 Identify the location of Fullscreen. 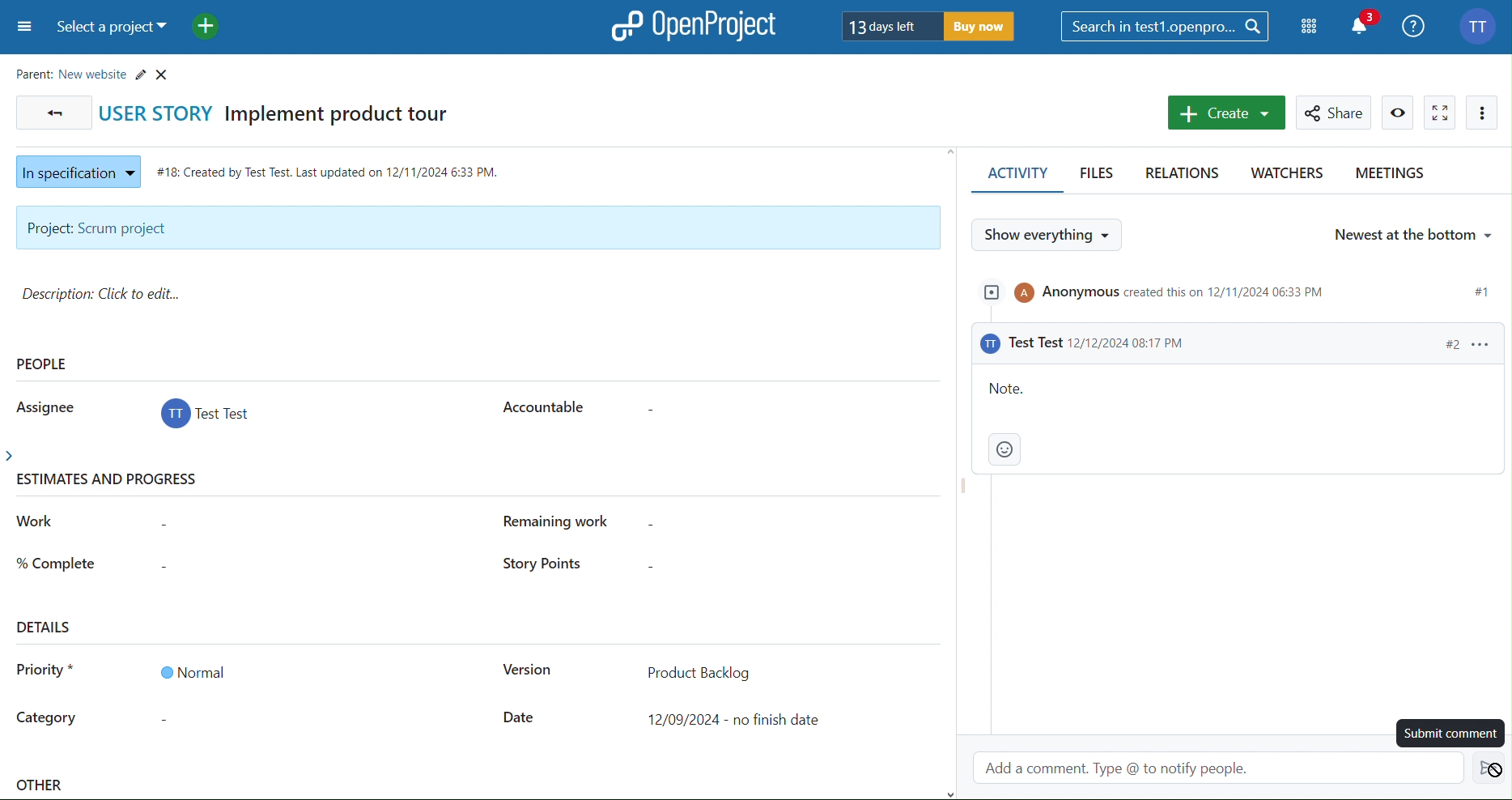
(1440, 112).